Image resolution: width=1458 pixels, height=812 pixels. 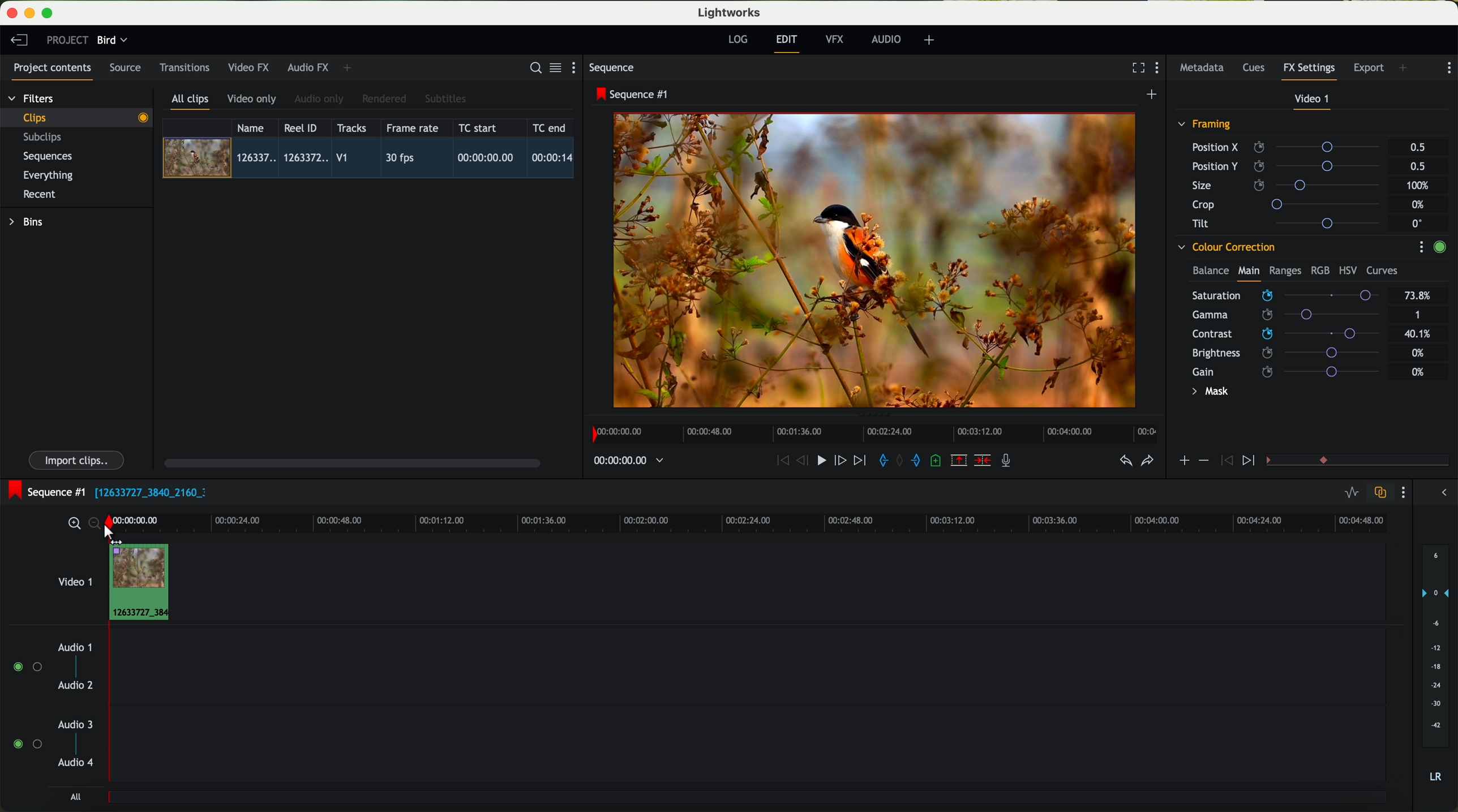 I want to click on recent, so click(x=40, y=196).